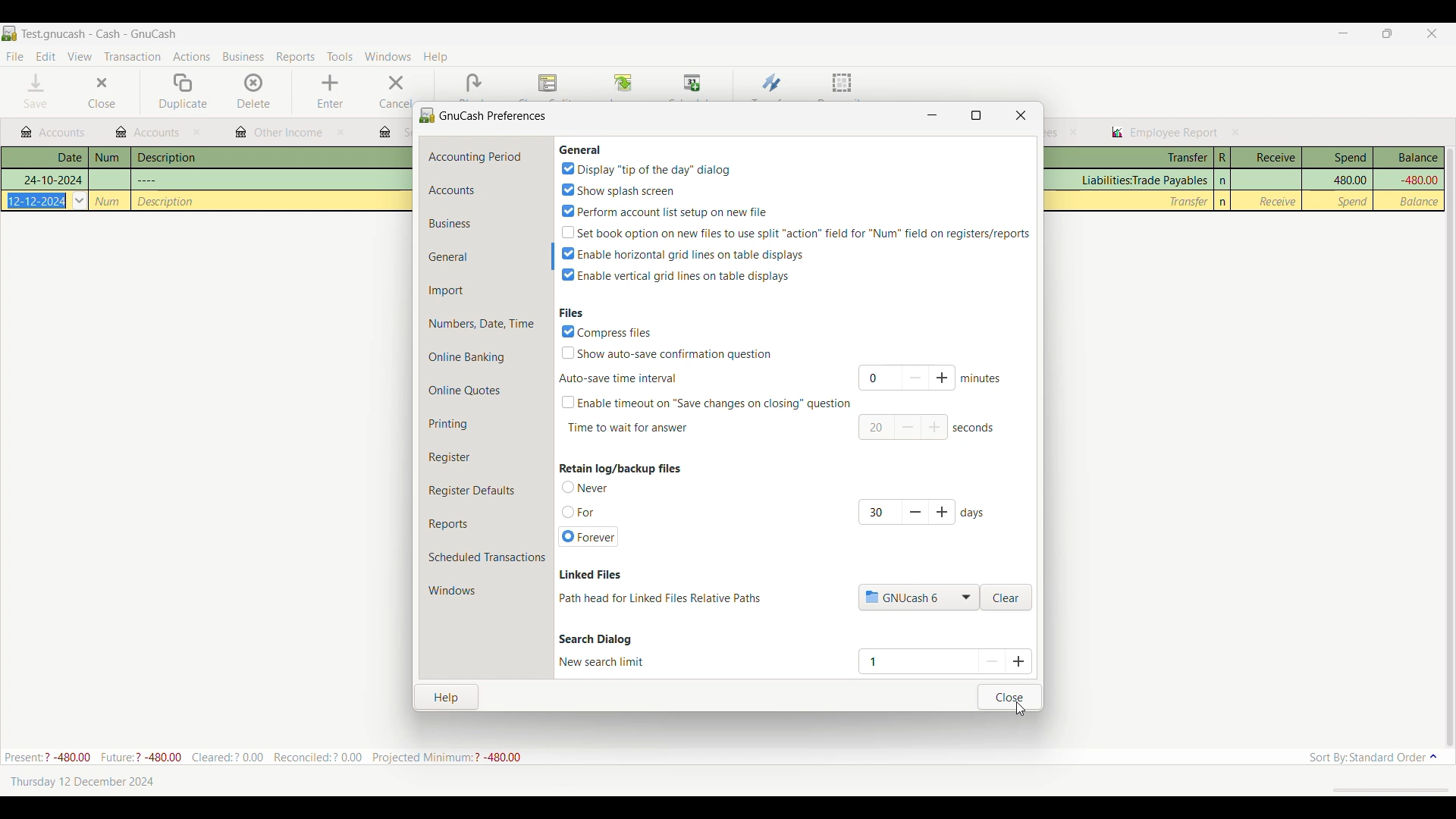  I want to click on Printing, so click(485, 424).